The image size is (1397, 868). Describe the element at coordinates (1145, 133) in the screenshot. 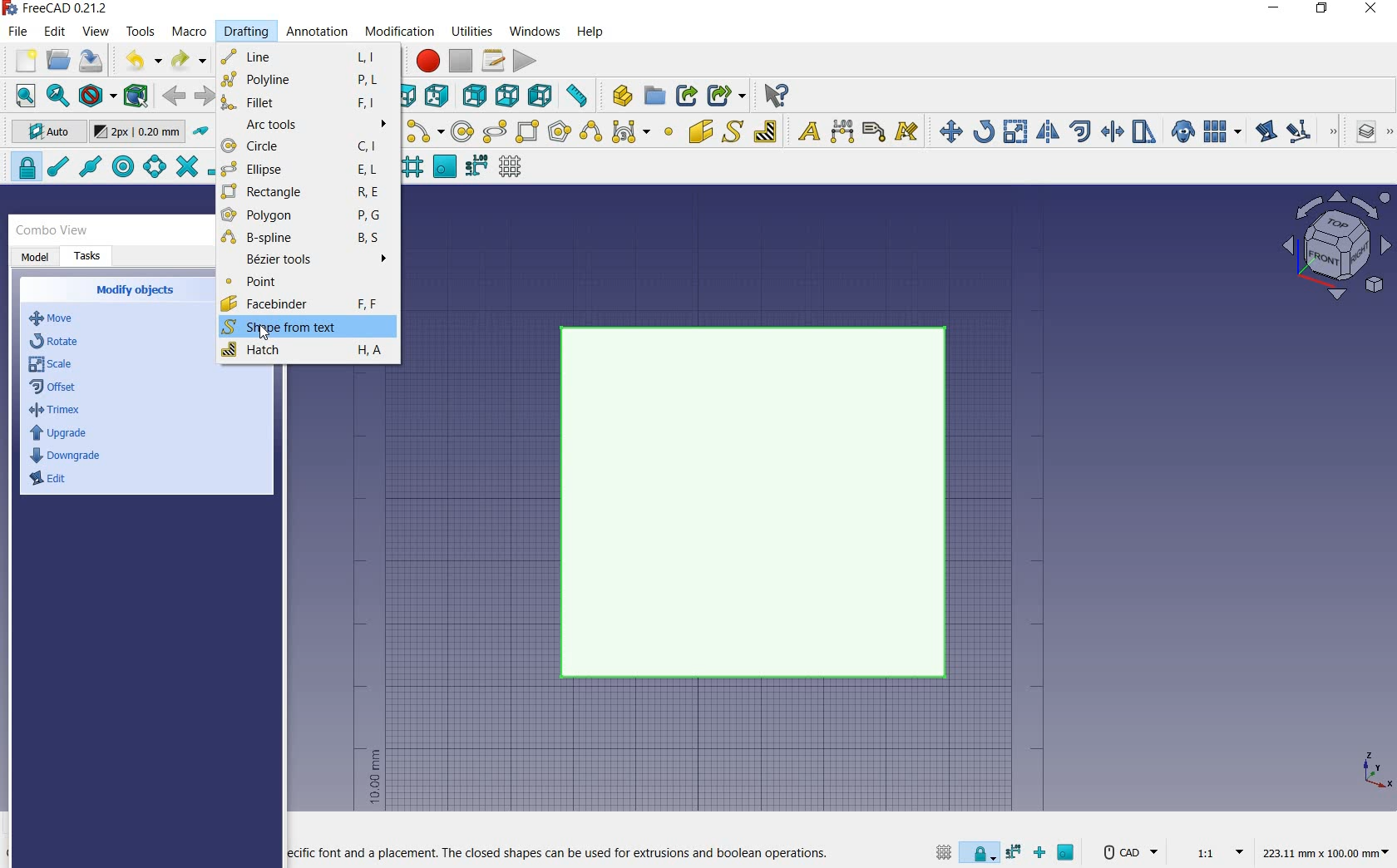

I see `stretch` at that location.